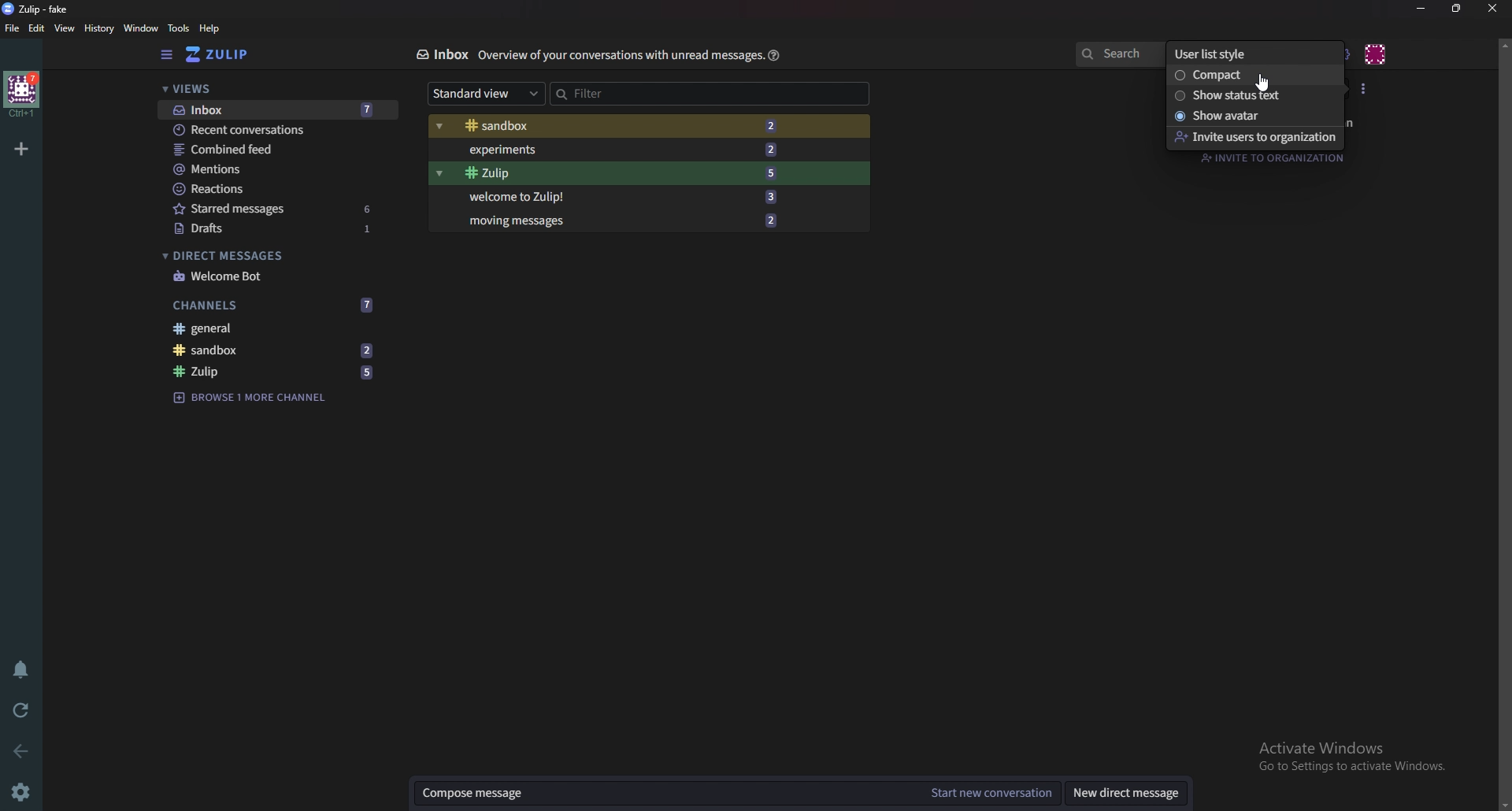 The width and height of the screenshot is (1512, 811). What do you see at coordinates (672, 94) in the screenshot?
I see `Filter` at bounding box center [672, 94].